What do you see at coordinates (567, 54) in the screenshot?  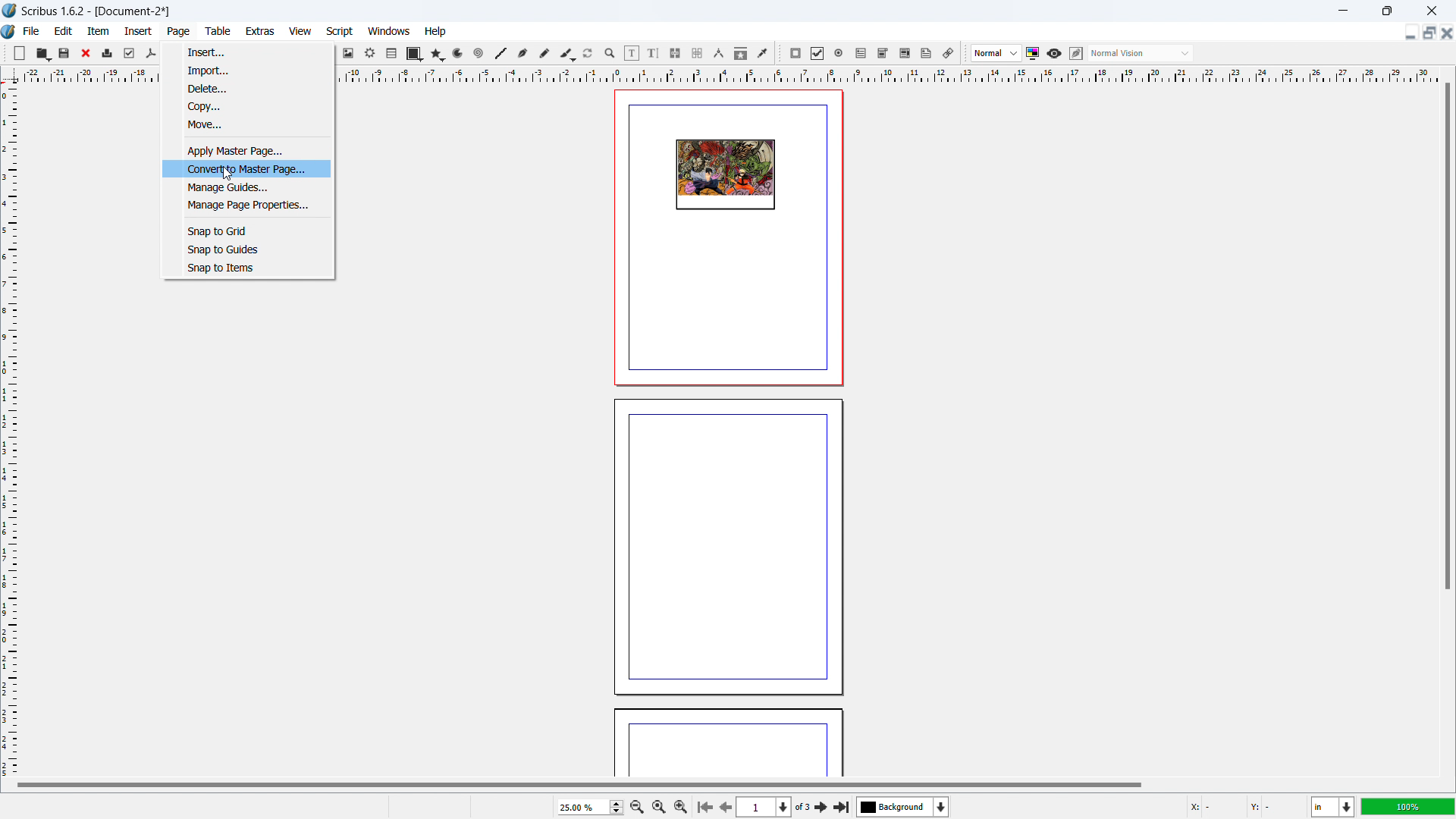 I see `caligraphic line` at bounding box center [567, 54].